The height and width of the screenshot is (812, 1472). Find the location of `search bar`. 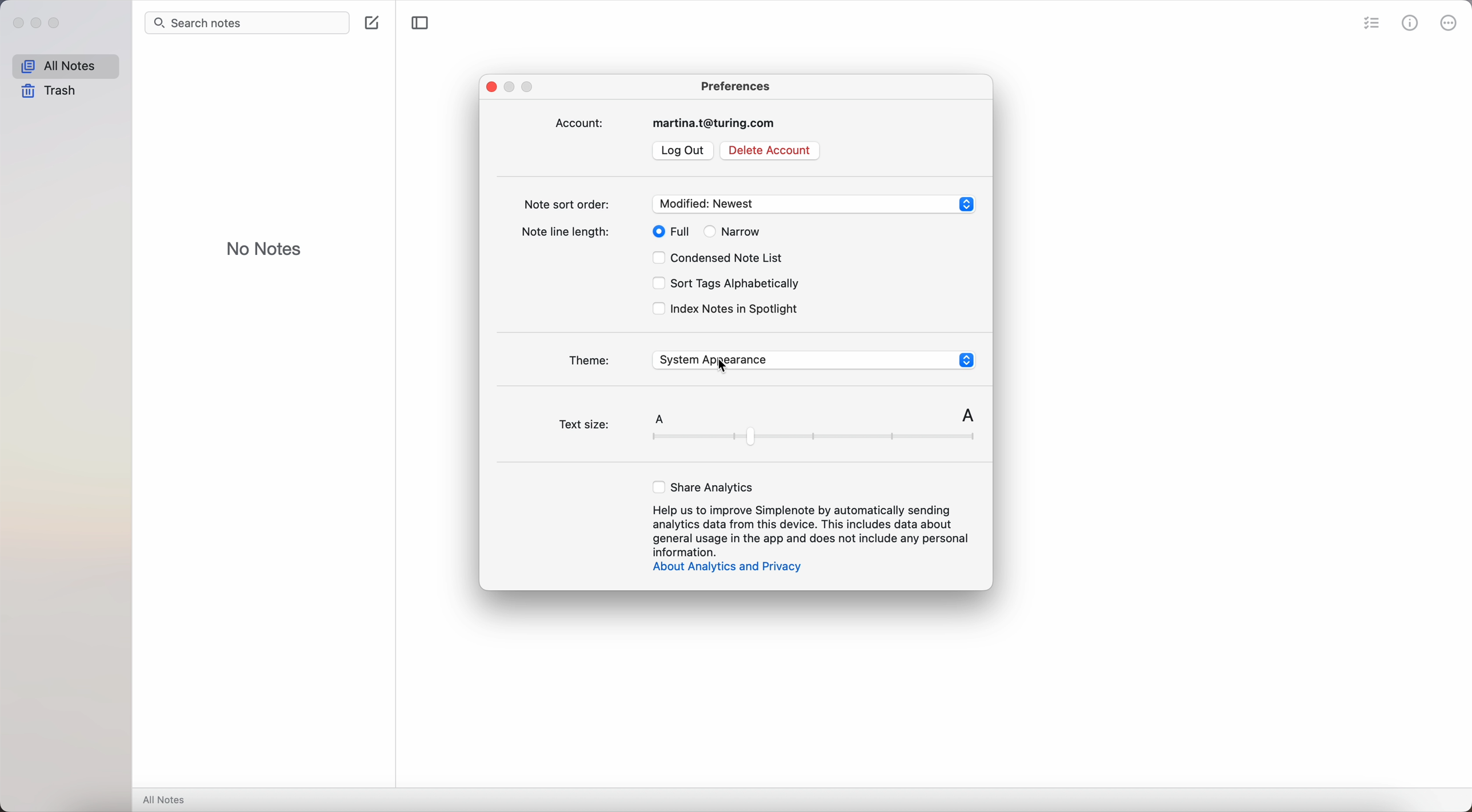

search bar is located at coordinates (247, 23).